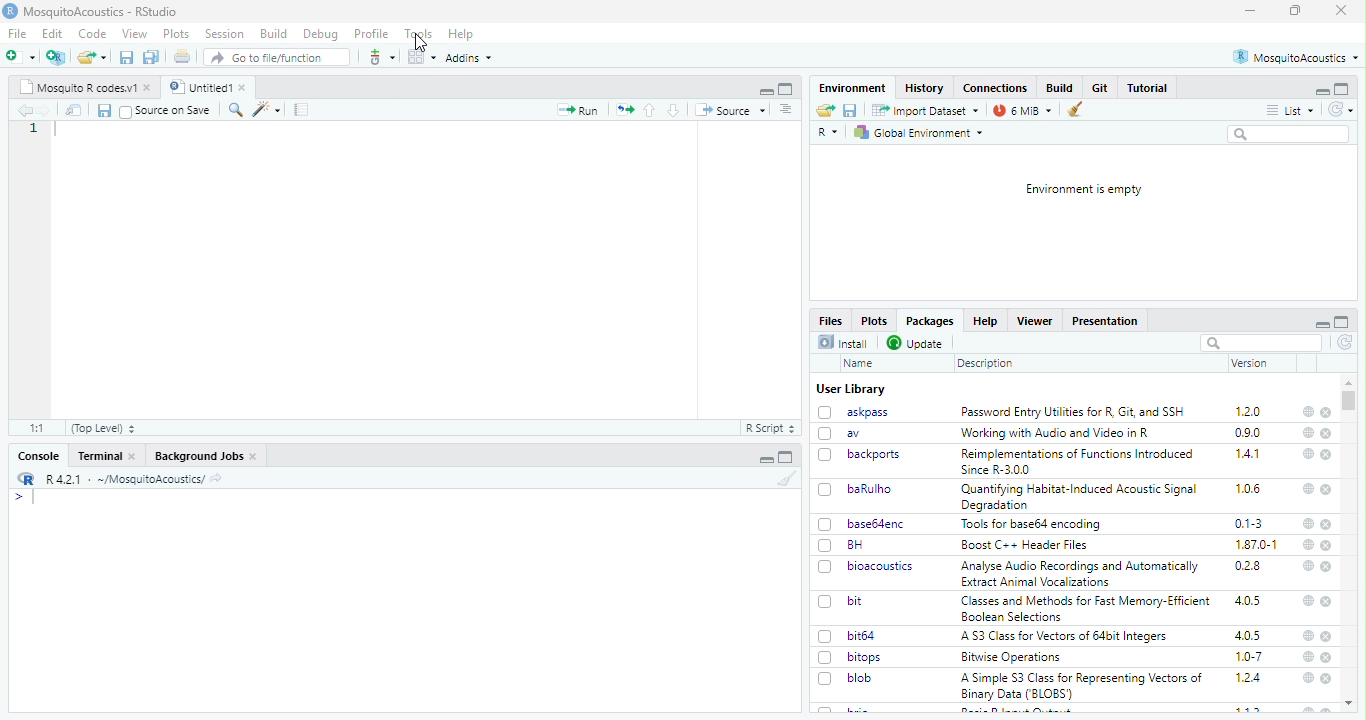 The height and width of the screenshot is (720, 1366). I want to click on forward, so click(45, 111).